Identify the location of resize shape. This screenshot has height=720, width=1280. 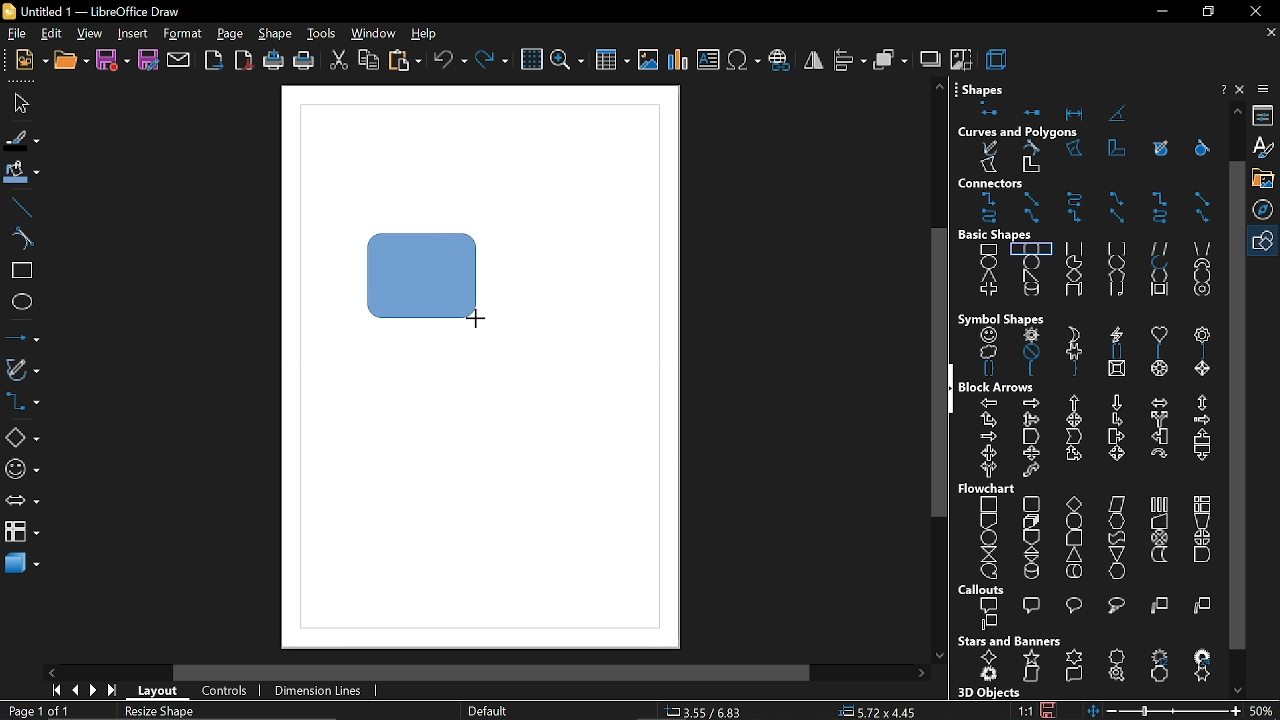
(162, 713).